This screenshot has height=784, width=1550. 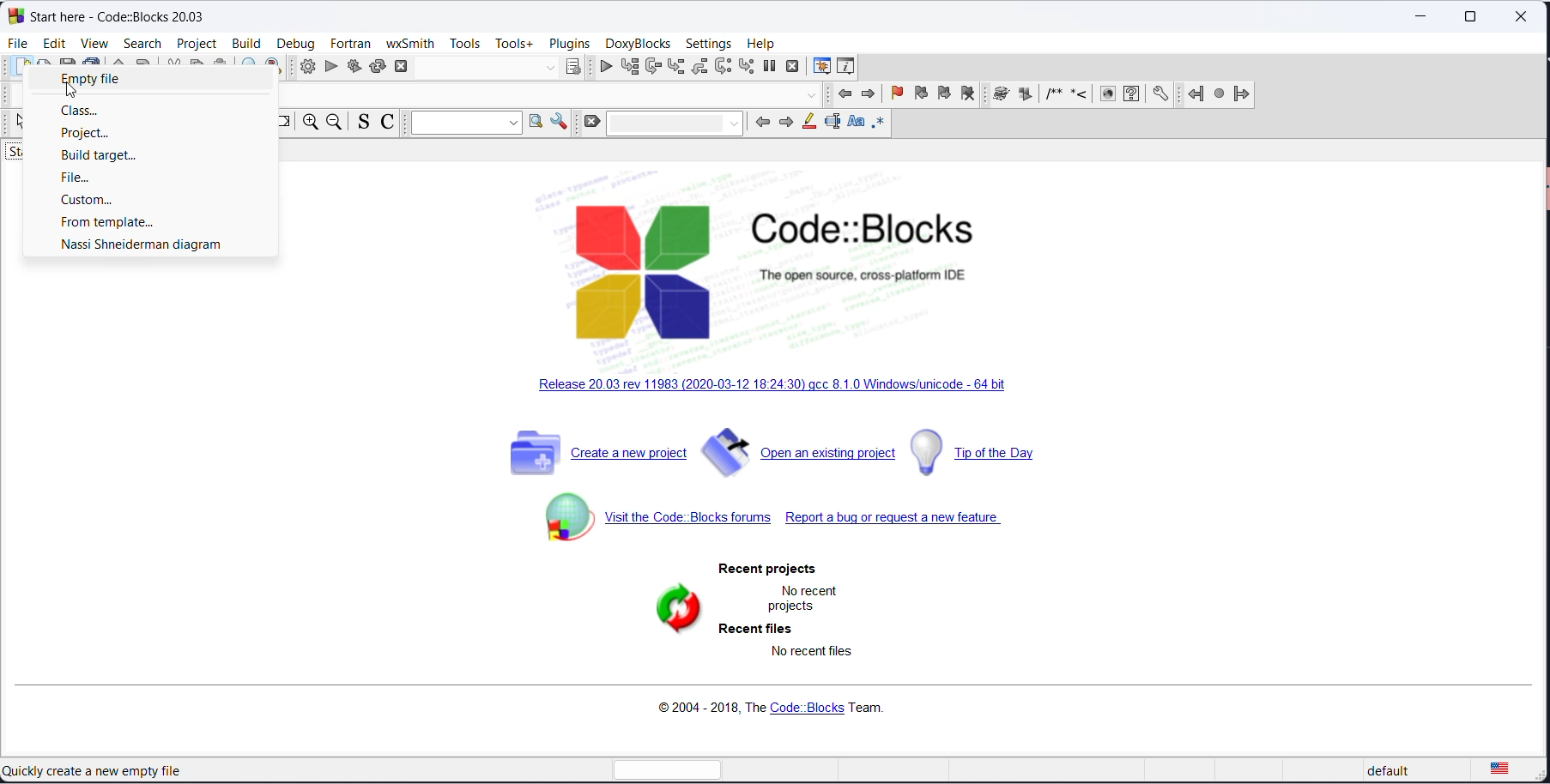 What do you see at coordinates (651, 516) in the screenshot?
I see `Visit the Code:Blocks forums` at bounding box center [651, 516].